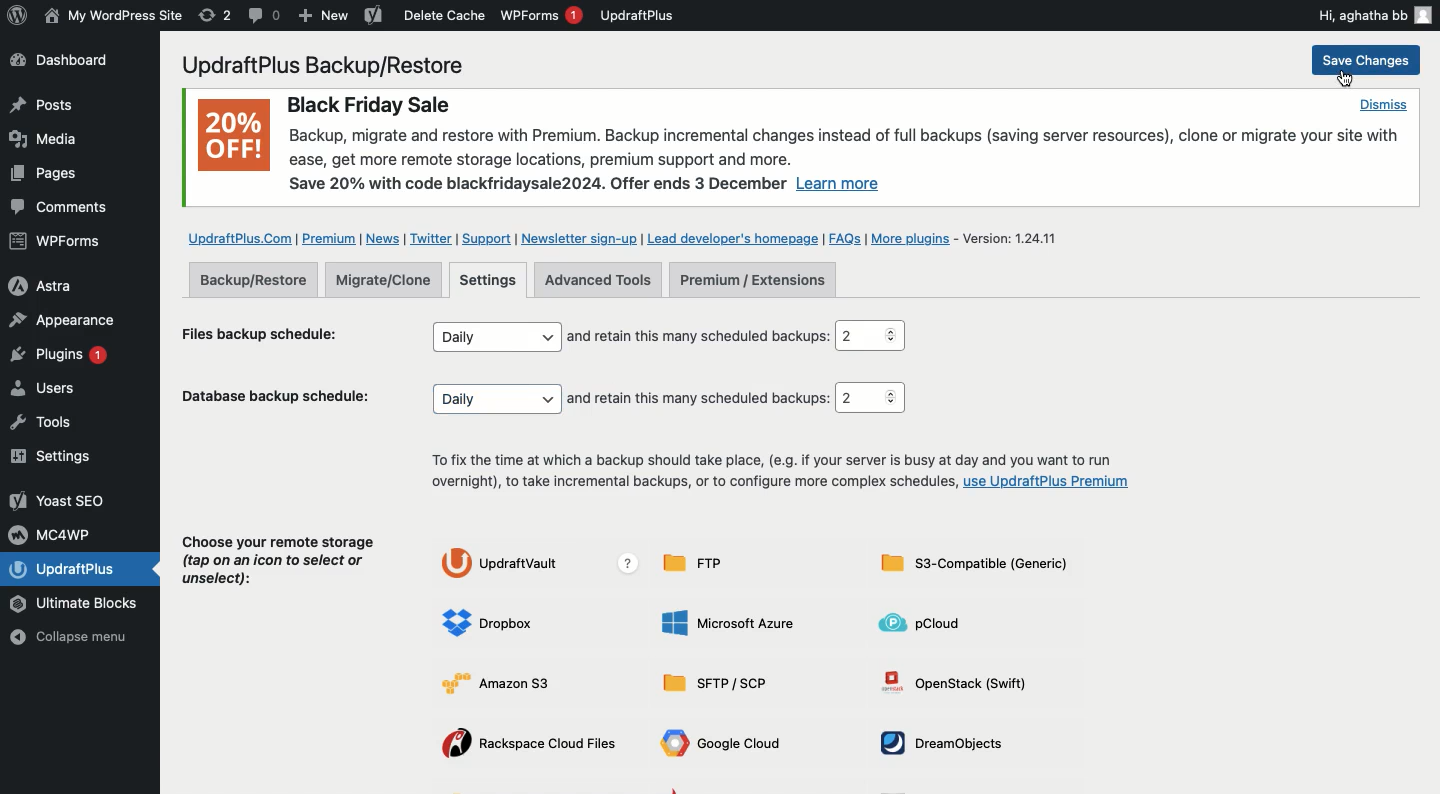  Describe the element at coordinates (698, 336) in the screenshot. I see `and retain this many scheduled backups` at that location.